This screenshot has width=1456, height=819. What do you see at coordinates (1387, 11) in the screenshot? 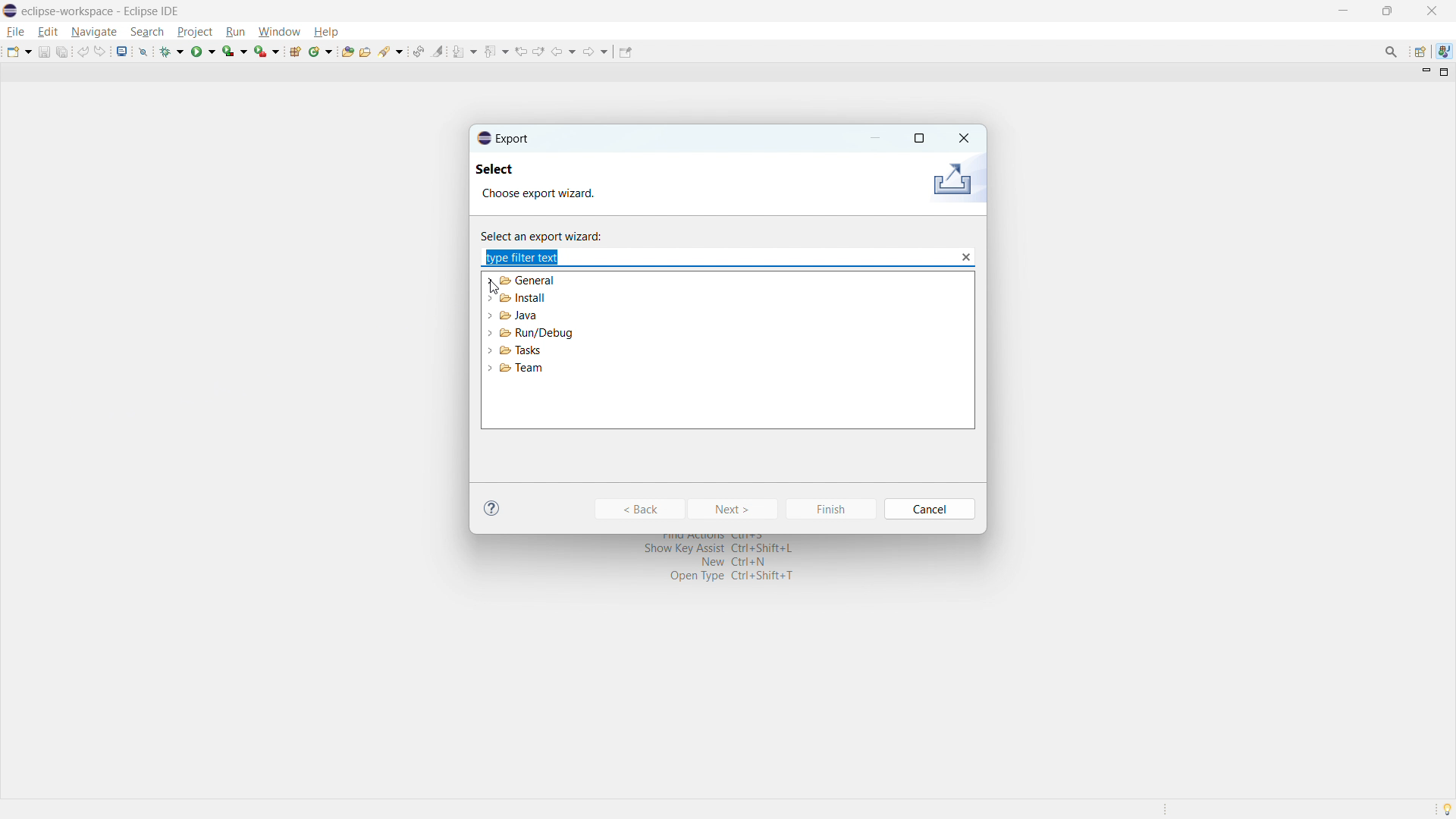
I see `maximize` at bounding box center [1387, 11].